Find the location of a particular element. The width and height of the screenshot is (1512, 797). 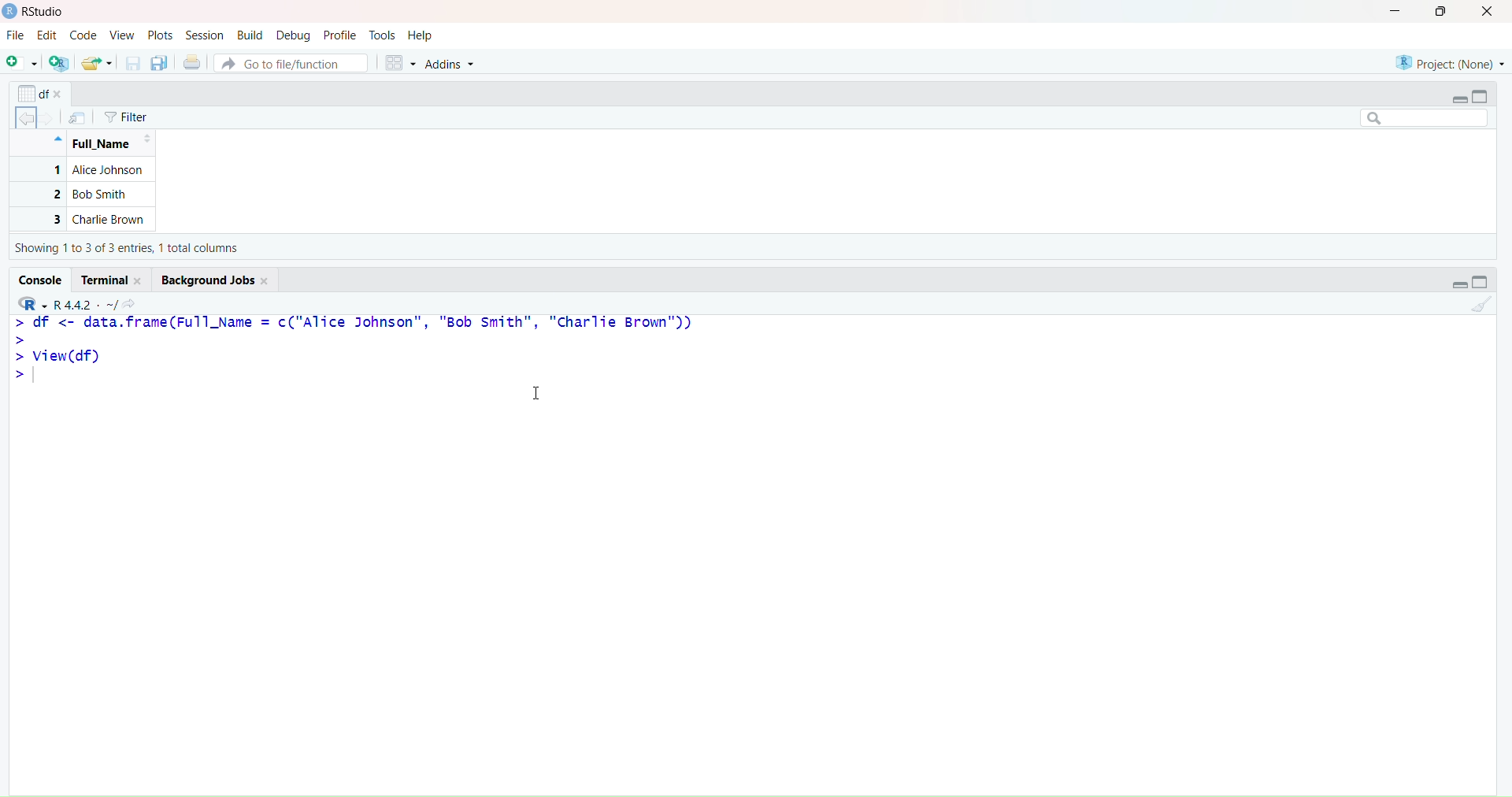

Show in new window is located at coordinates (77, 118).